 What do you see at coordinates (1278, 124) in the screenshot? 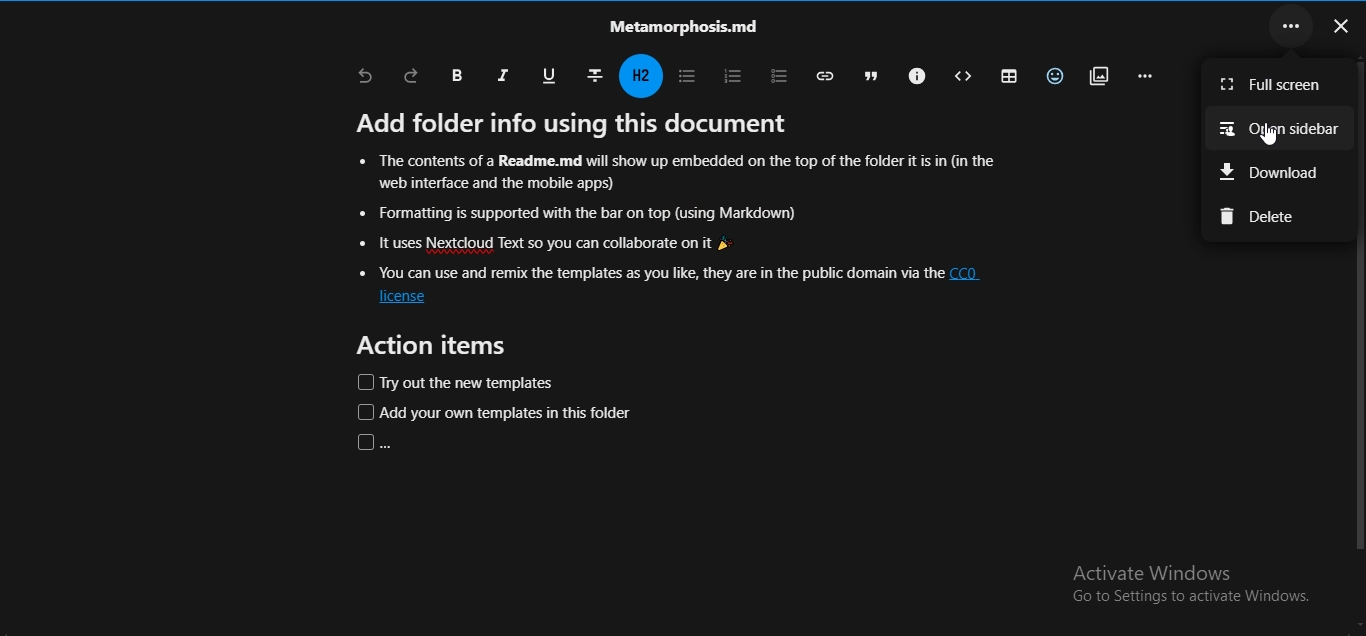
I see `open sidebar` at bounding box center [1278, 124].